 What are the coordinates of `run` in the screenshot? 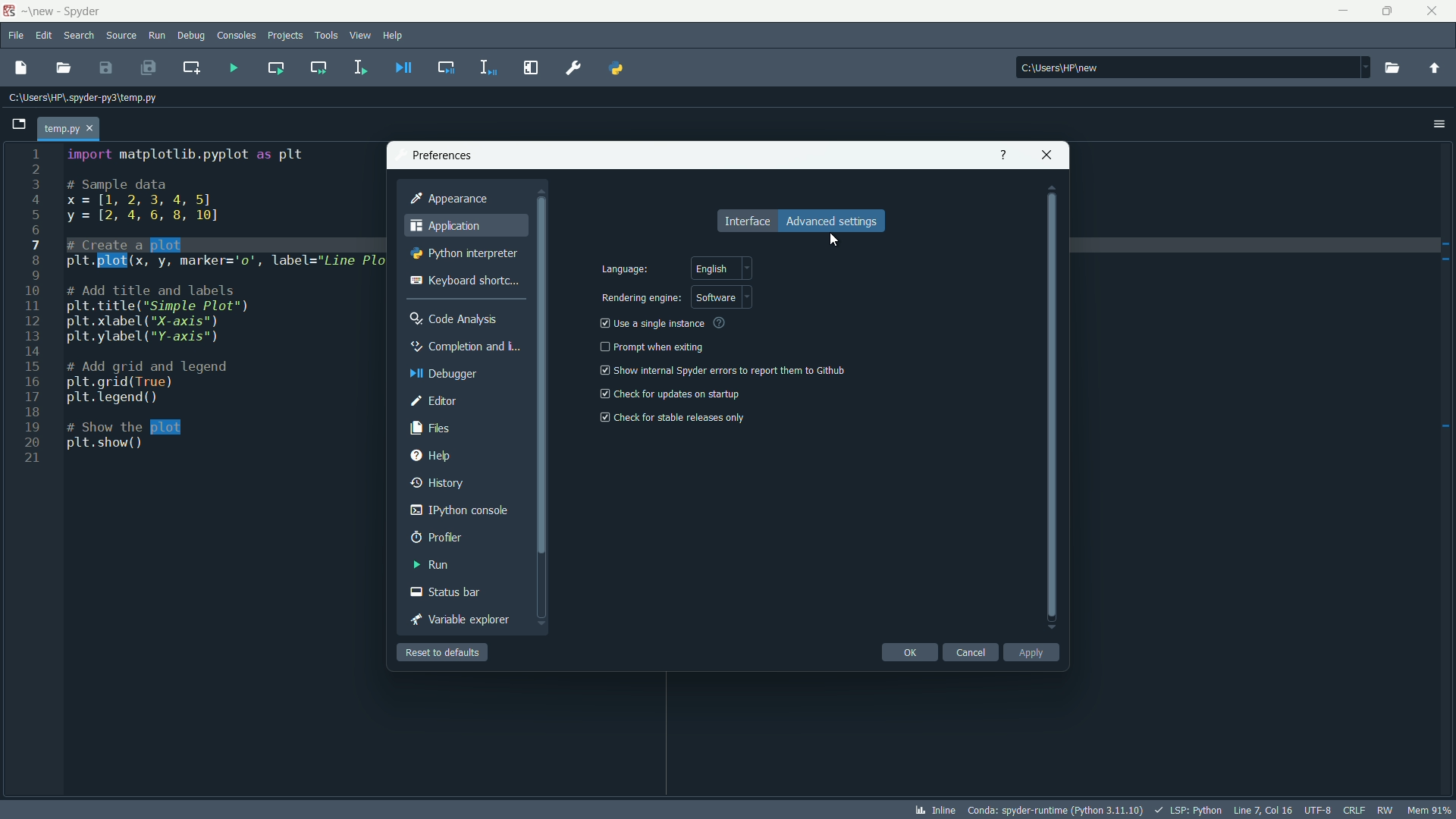 It's located at (431, 565).